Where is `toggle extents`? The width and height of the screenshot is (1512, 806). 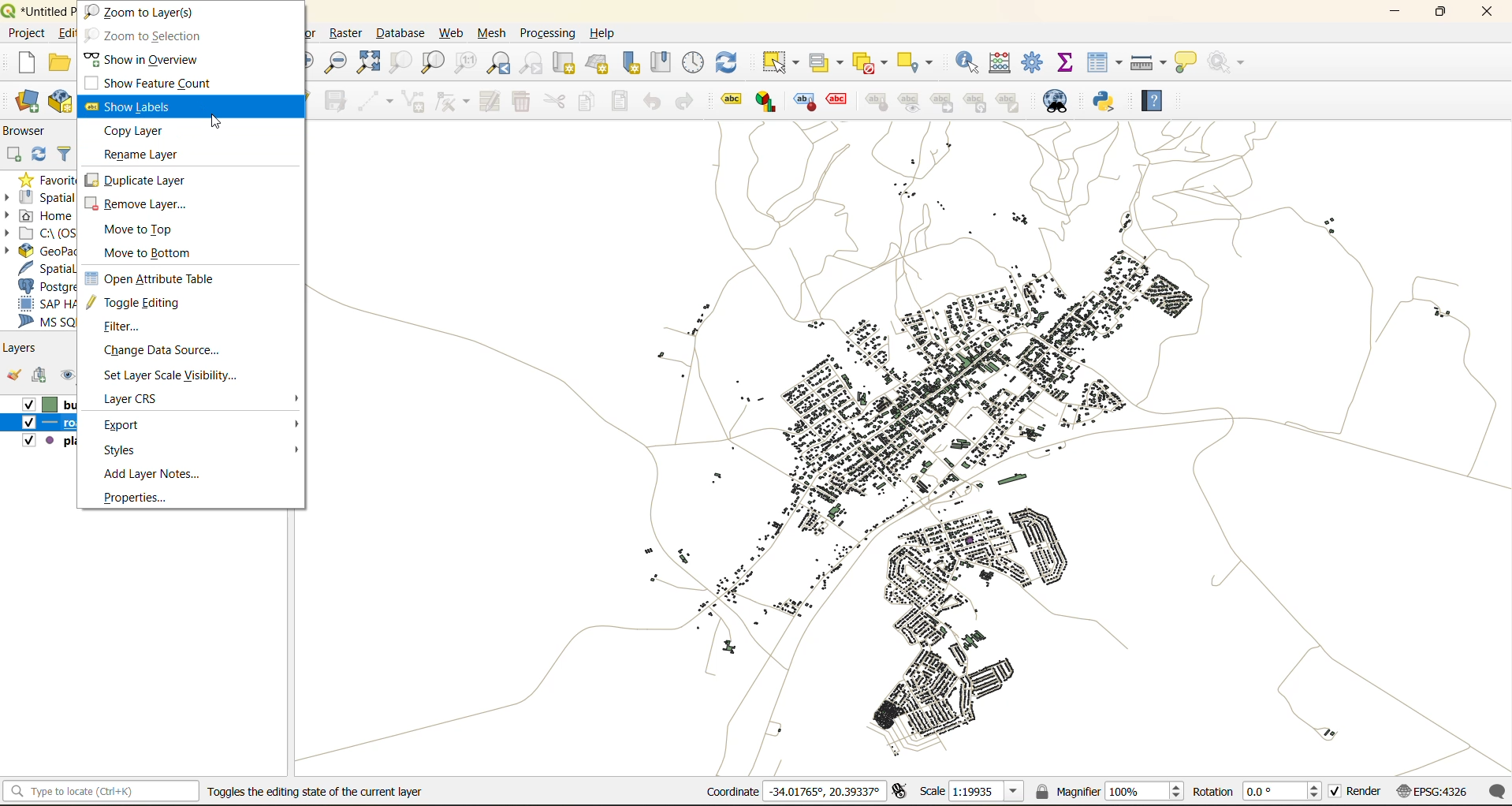 toggle extents is located at coordinates (902, 792).